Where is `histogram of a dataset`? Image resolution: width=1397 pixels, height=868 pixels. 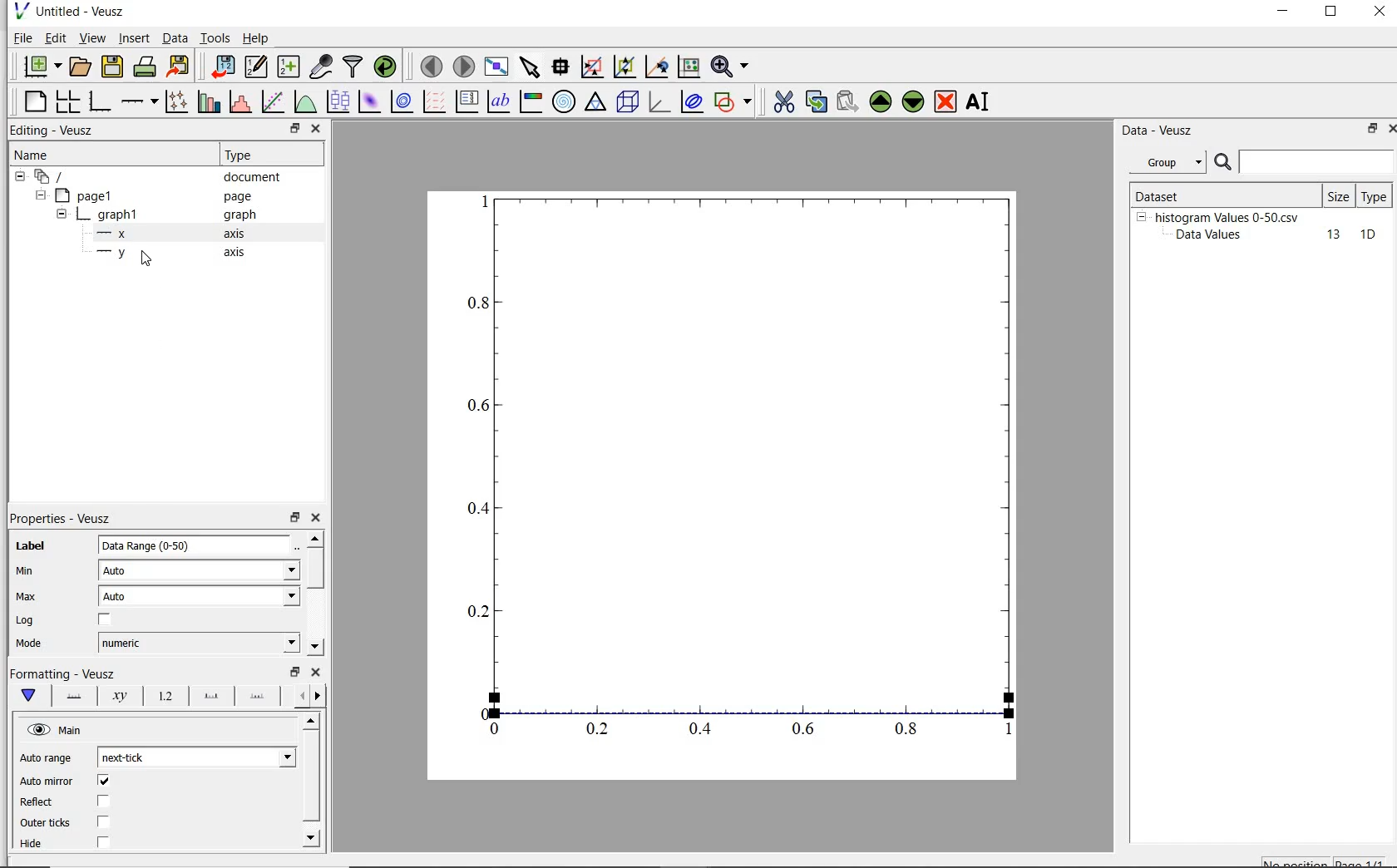
histogram of a dataset is located at coordinates (239, 102).